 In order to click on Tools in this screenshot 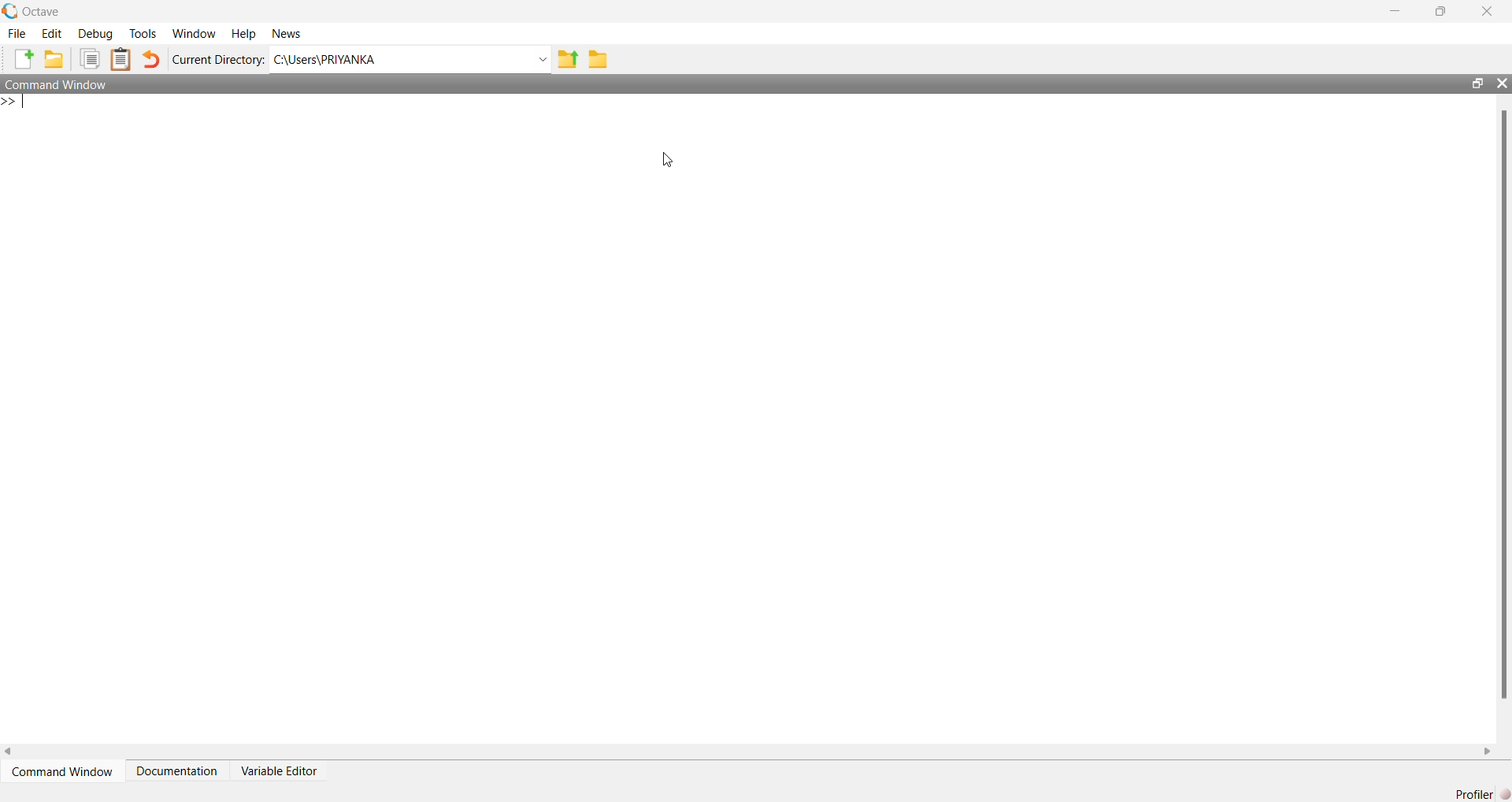, I will do `click(143, 33)`.